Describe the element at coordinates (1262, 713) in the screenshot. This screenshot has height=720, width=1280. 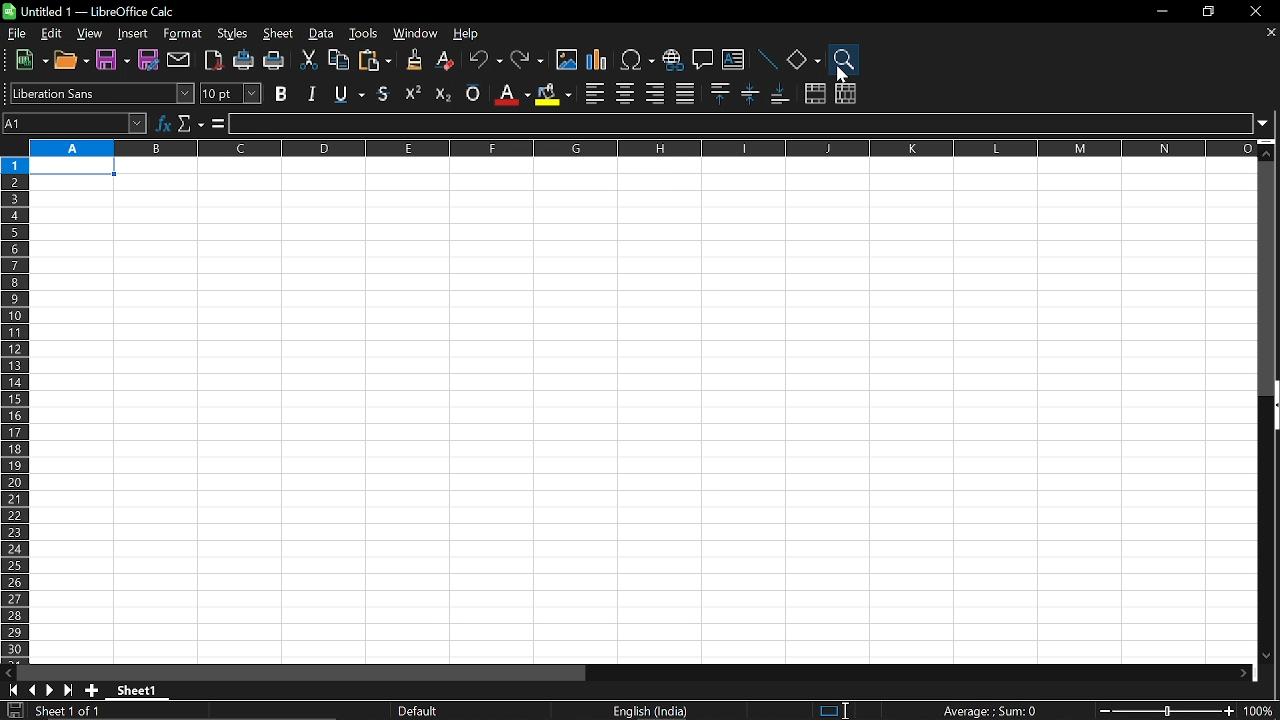
I see `current zoom` at that location.